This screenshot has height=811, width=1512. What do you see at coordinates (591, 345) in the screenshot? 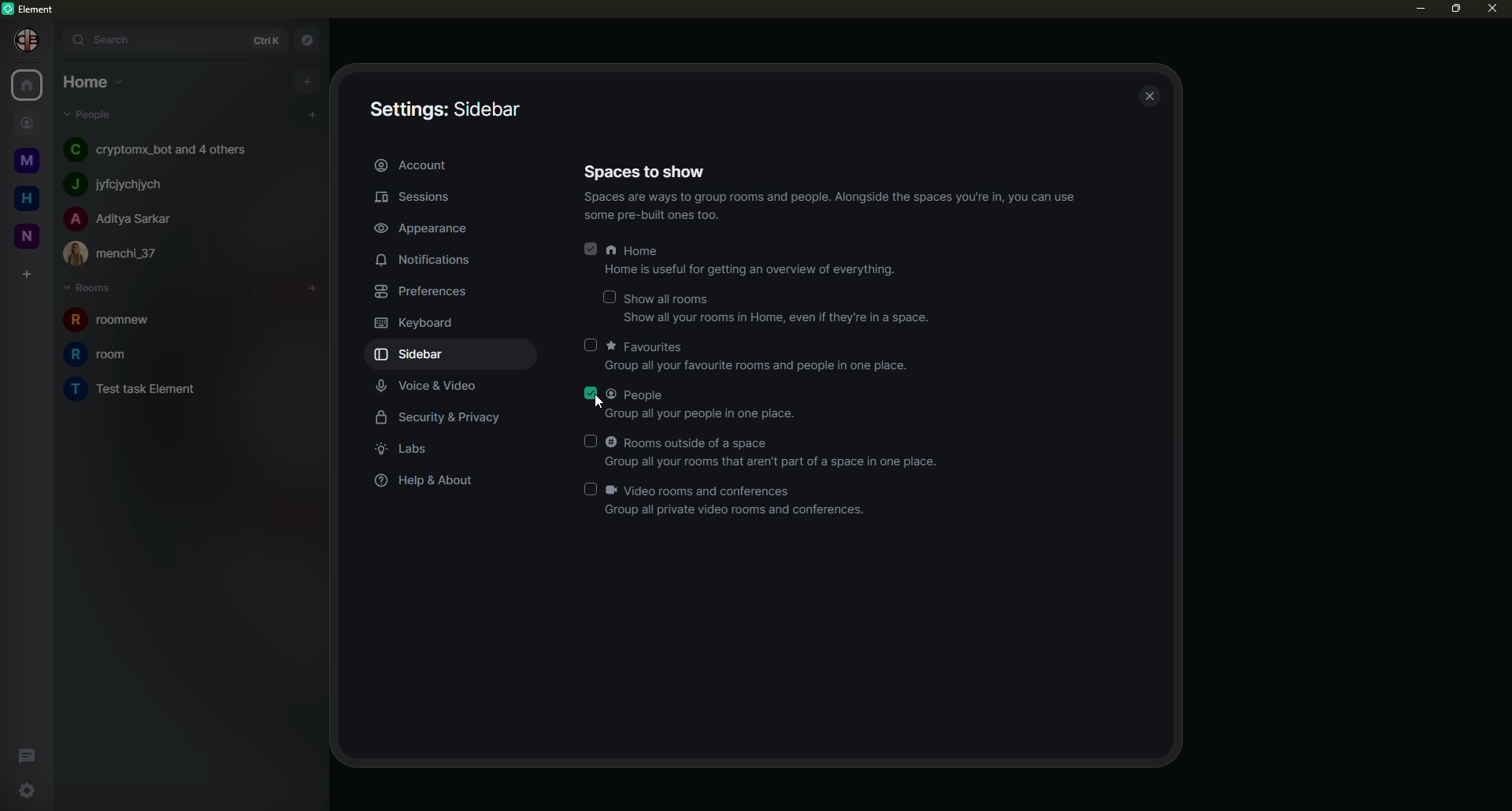
I see `click to enable` at bounding box center [591, 345].